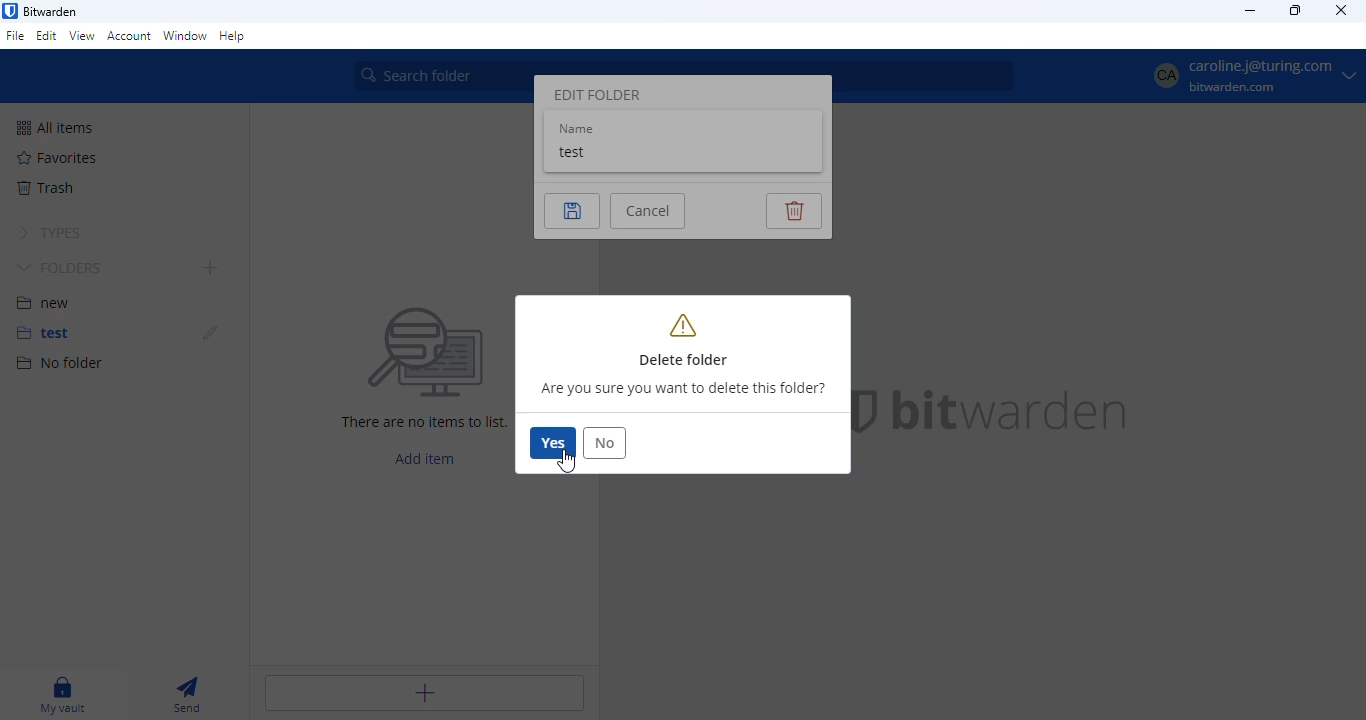  Describe the element at coordinates (186, 37) in the screenshot. I see `window` at that location.